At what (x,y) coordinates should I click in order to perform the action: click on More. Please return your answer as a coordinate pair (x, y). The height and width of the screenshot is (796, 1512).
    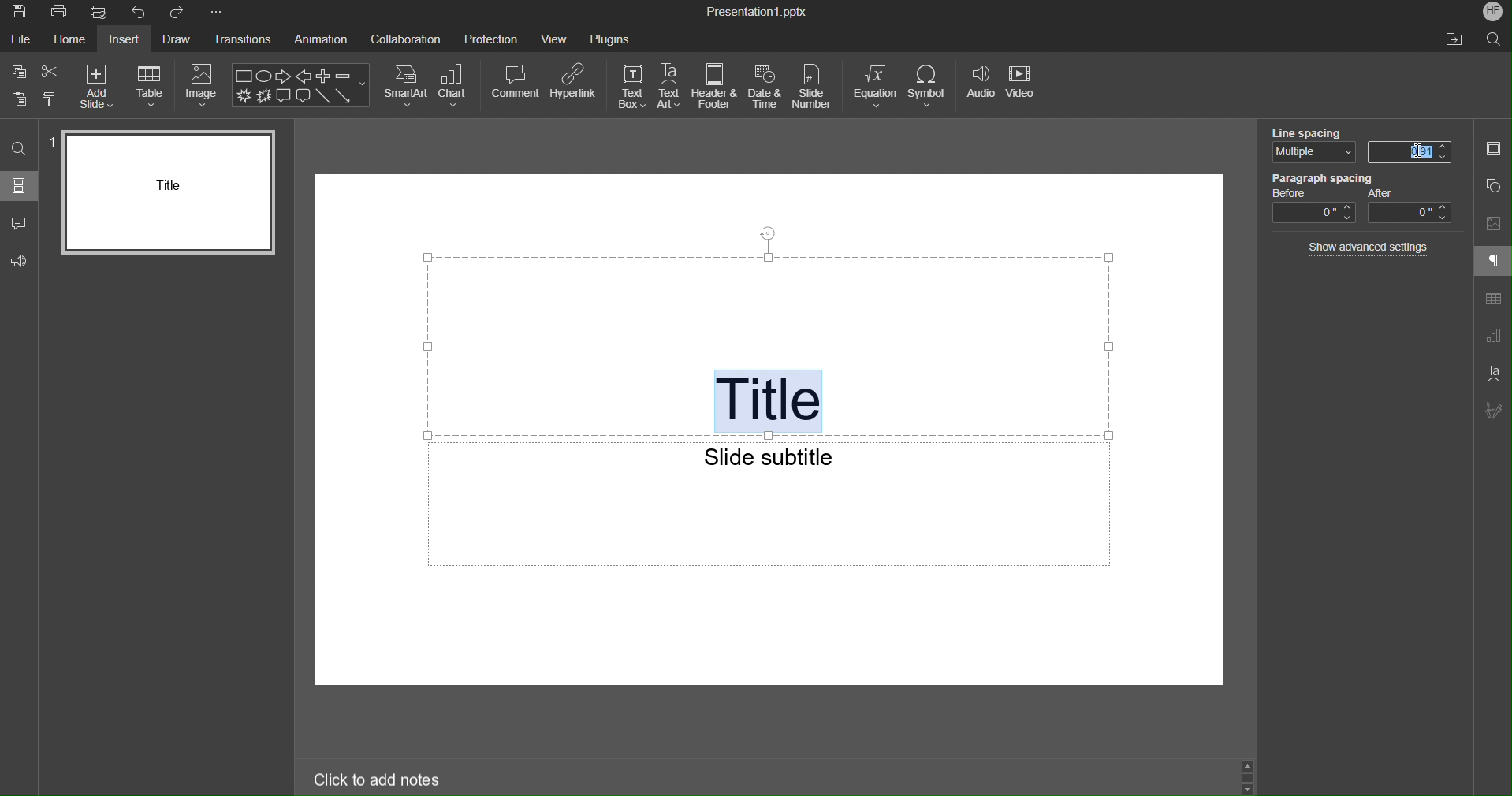
    Looking at the image, I should click on (220, 13).